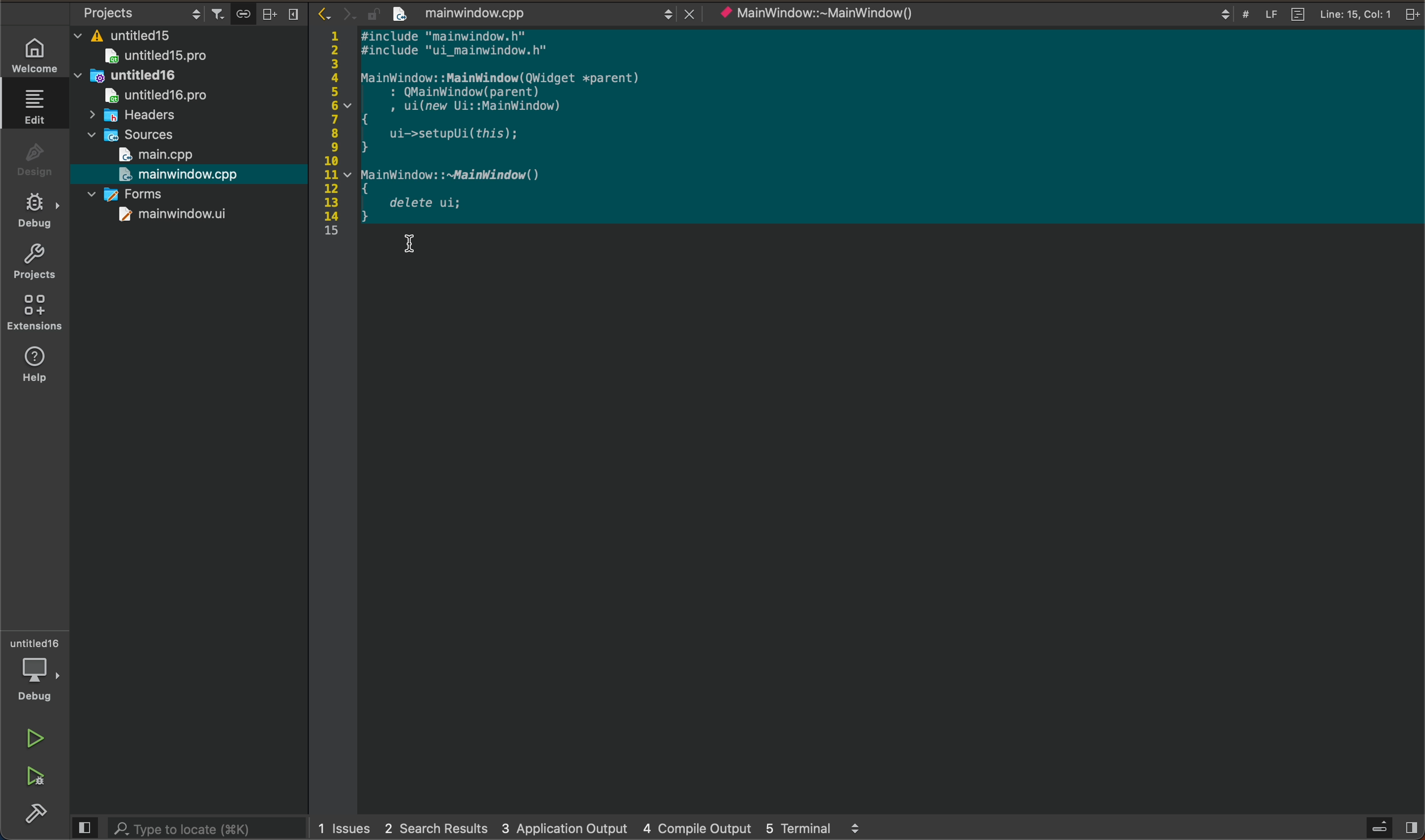 This screenshot has height=840, width=1425. I want to click on Arrange, so click(266, 13).